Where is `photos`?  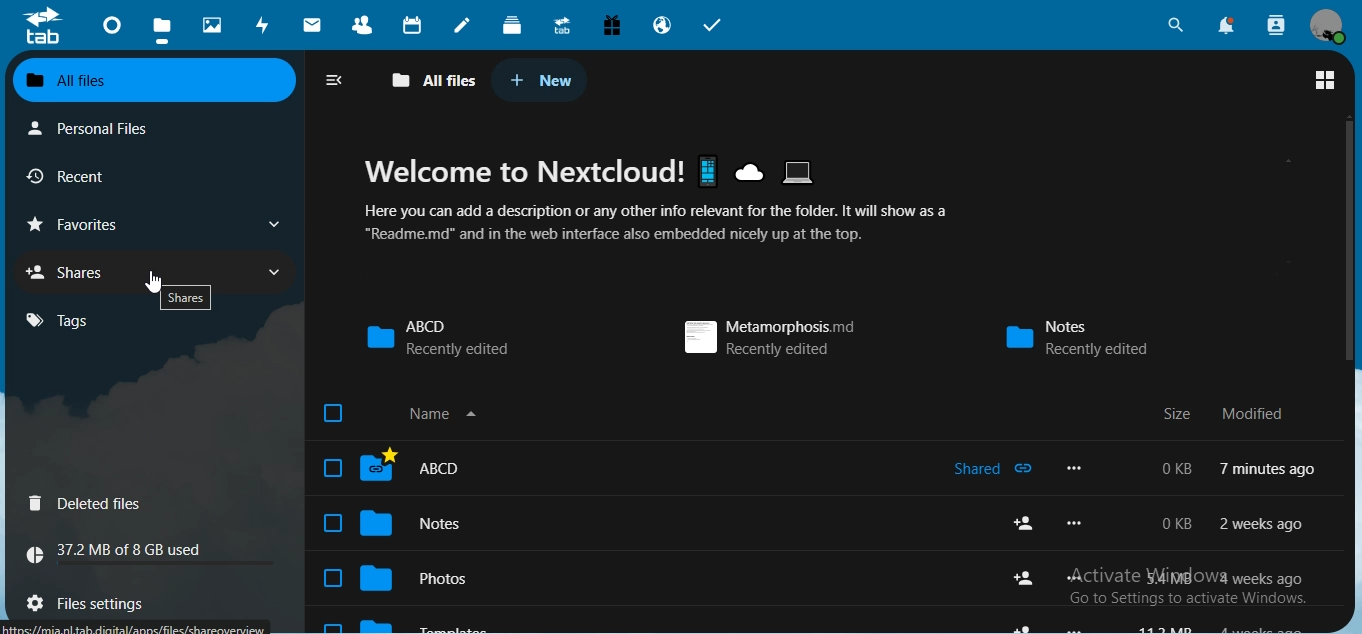 photos is located at coordinates (438, 578).